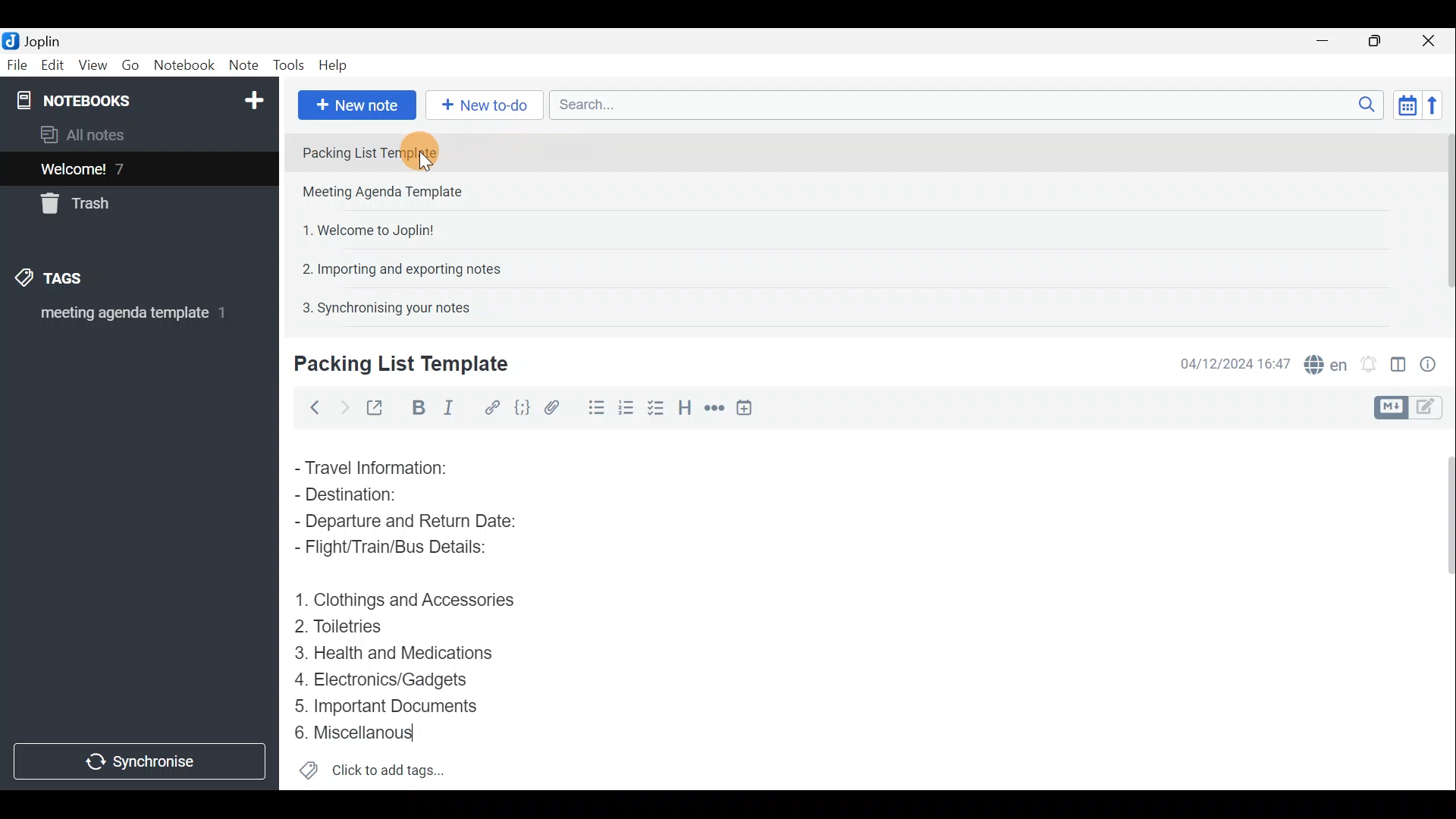 This screenshot has width=1456, height=819. I want to click on Checkbox, so click(626, 405).